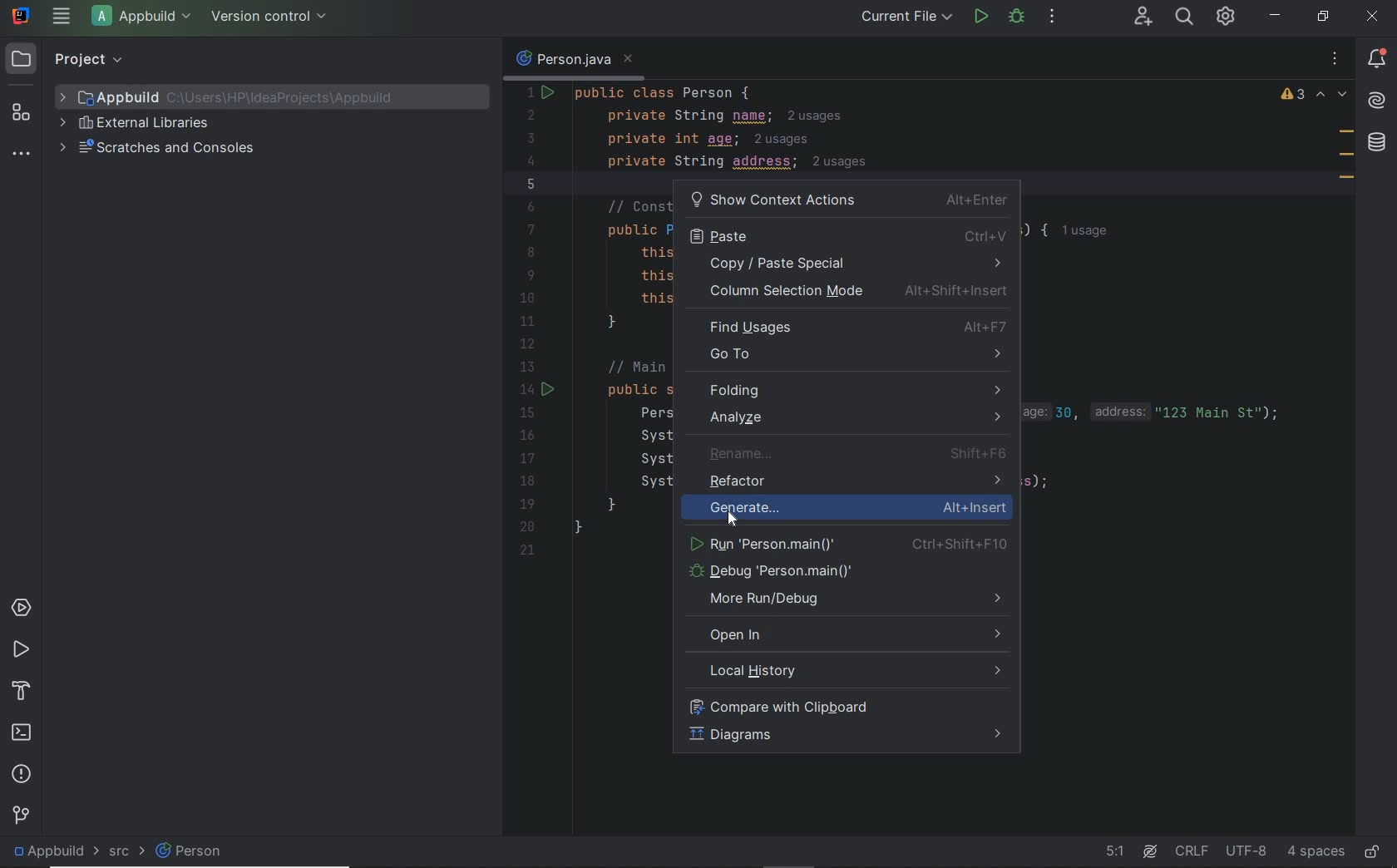 This screenshot has width=1397, height=868. I want to click on build, so click(22, 688).